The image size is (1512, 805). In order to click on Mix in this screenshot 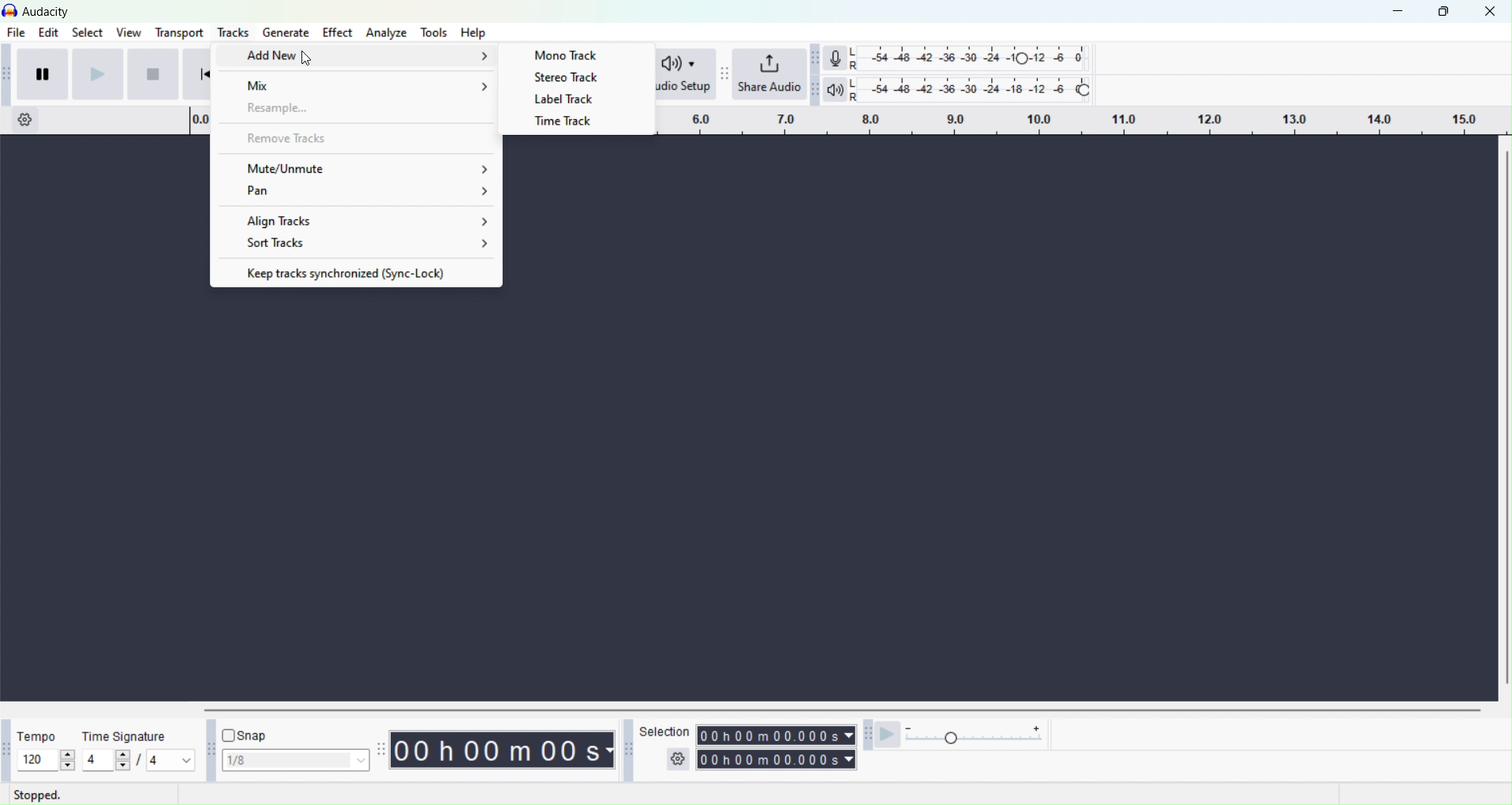, I will do `click(358, 82)`.